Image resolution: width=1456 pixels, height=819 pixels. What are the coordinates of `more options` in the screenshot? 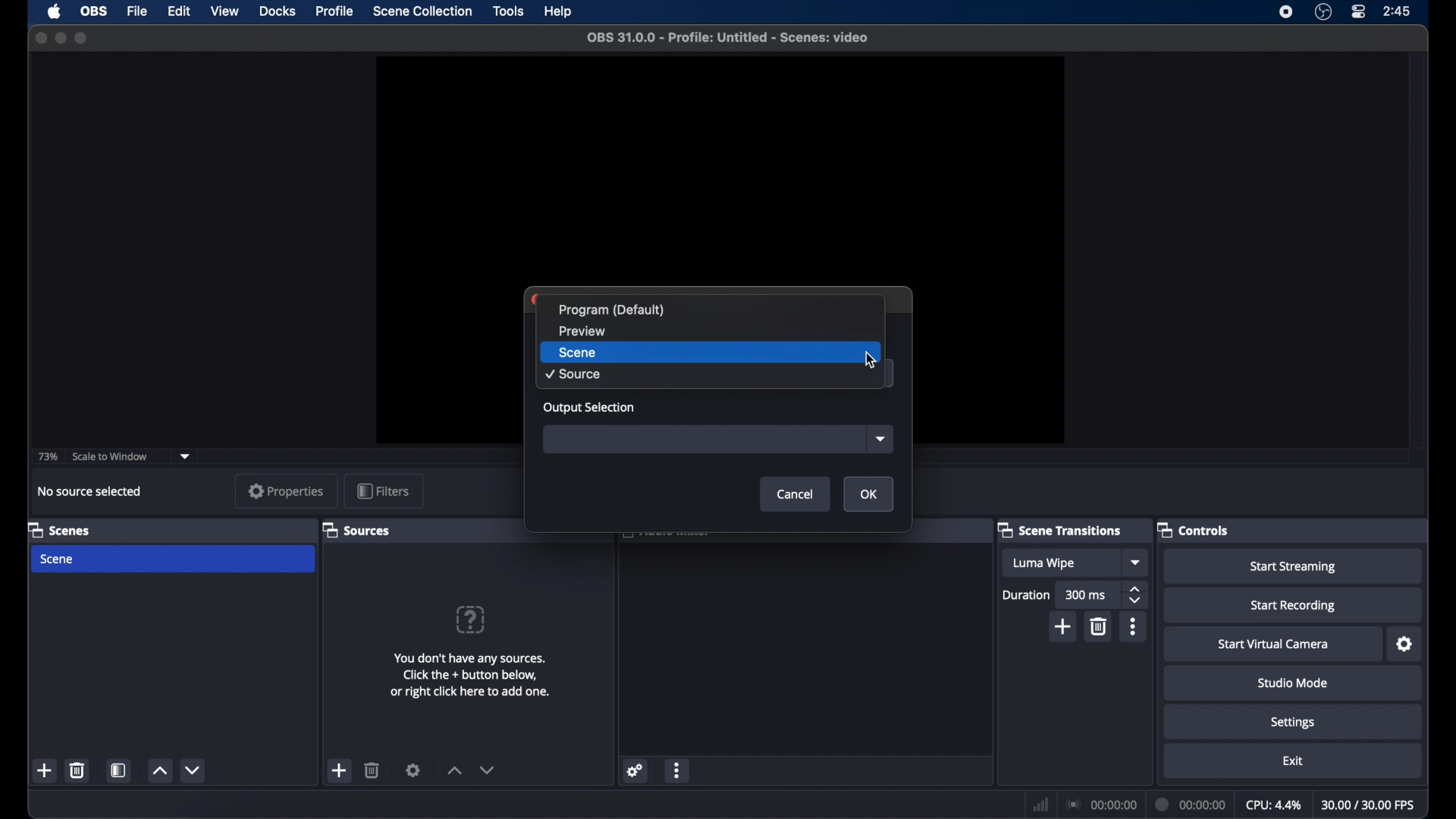 It's located at (678, 770).